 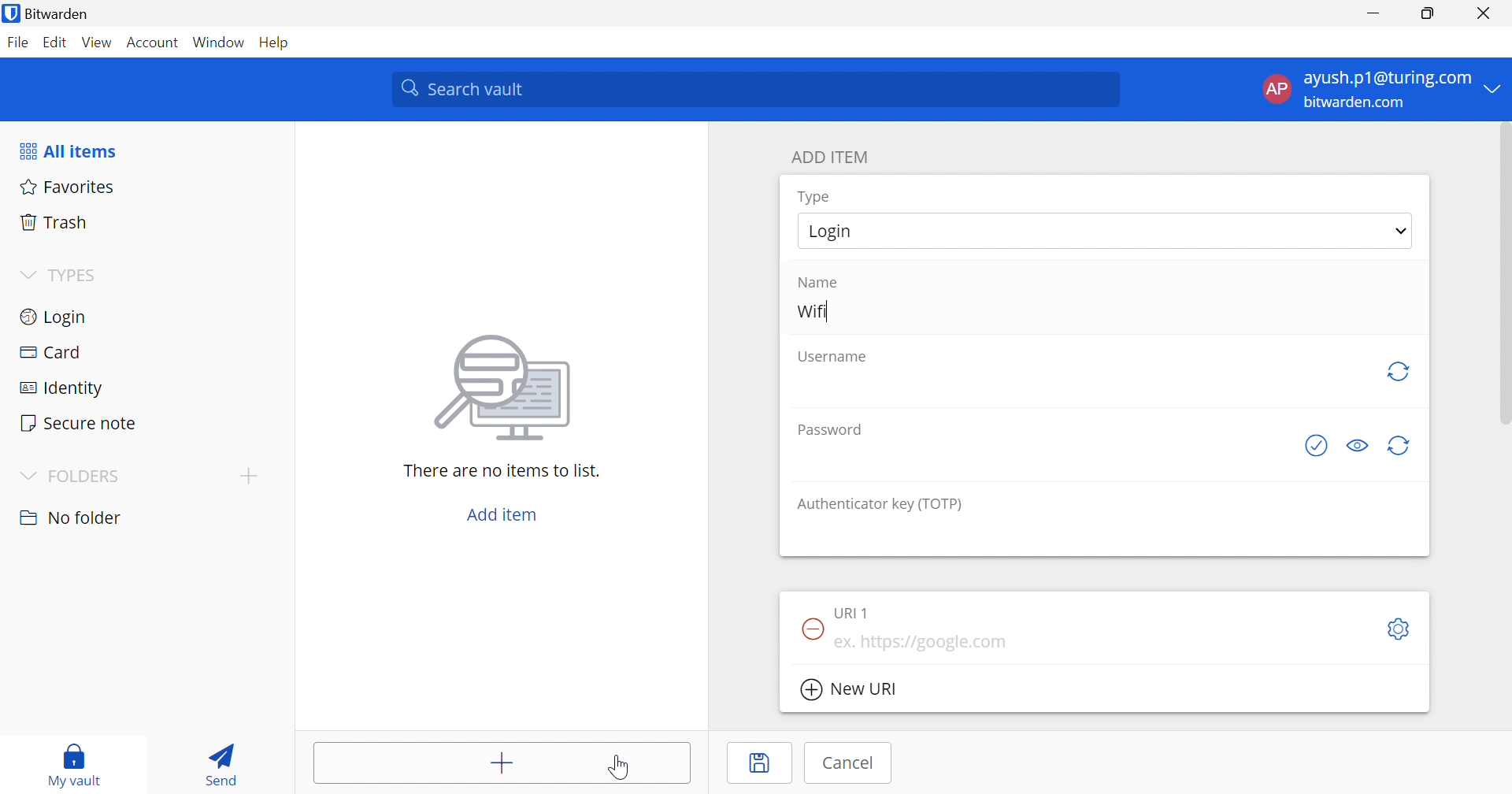 What do you see at coordinates (850, 762) in the screenshot?
I see `Cancel` at bounding box center [850, 762].